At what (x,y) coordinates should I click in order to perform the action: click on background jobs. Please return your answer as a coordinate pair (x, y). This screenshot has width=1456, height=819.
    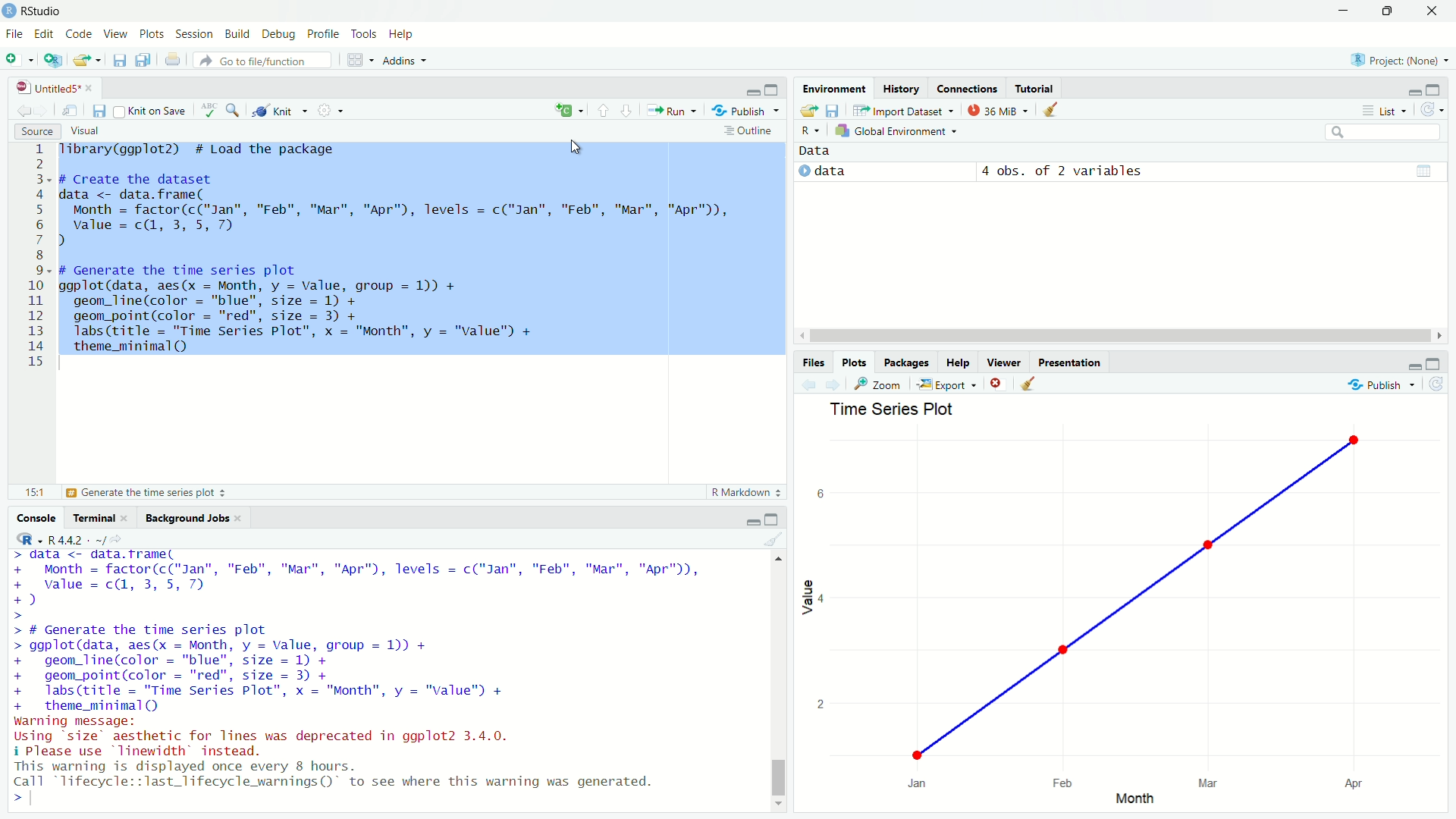
    Looking at the image, I should click on (185, 516).